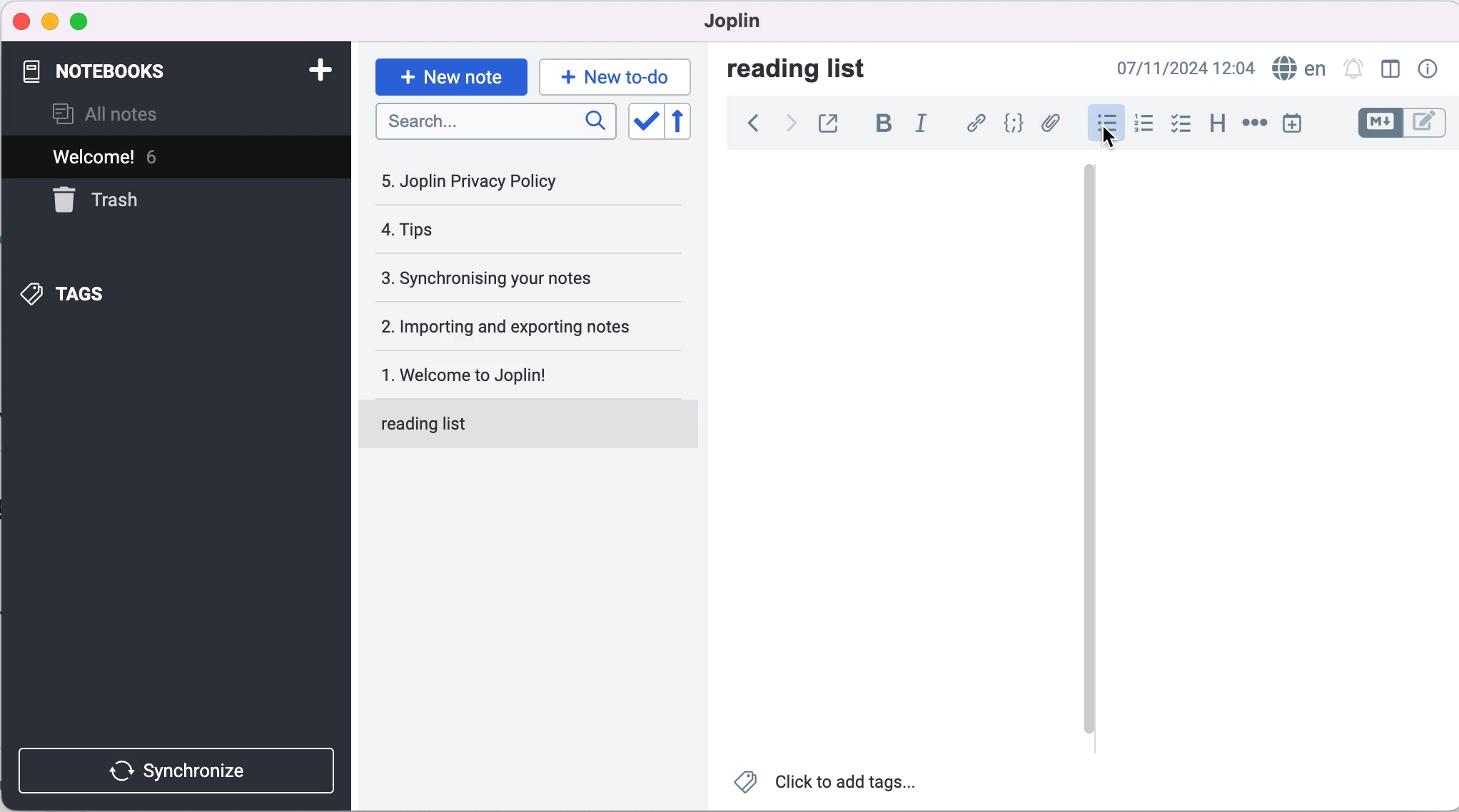 This screenshot has width=1459, height=812. What do you see at coordinates (22, 19) in the screenshot?
I see `close` at bounding box center [22, 19].